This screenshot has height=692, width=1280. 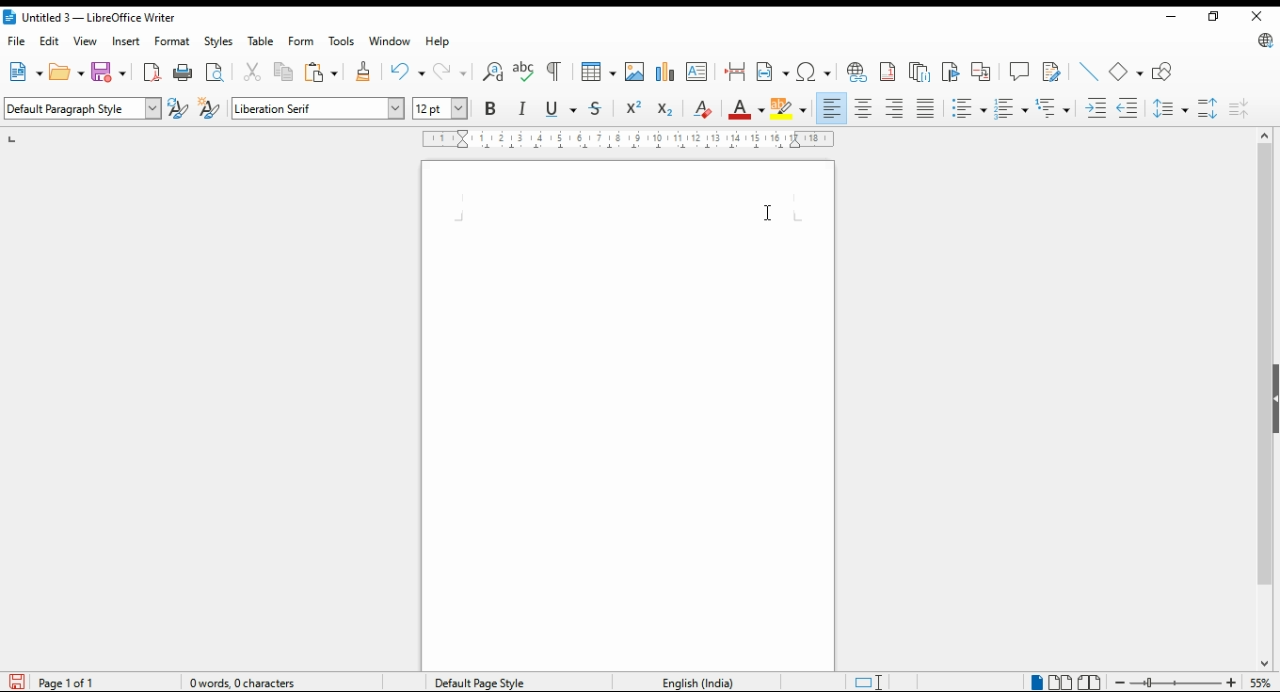 What do you see at coordinates (981, 71) in the screenshot?
I see `insert cross-reference` at bounding box center [981, 71].